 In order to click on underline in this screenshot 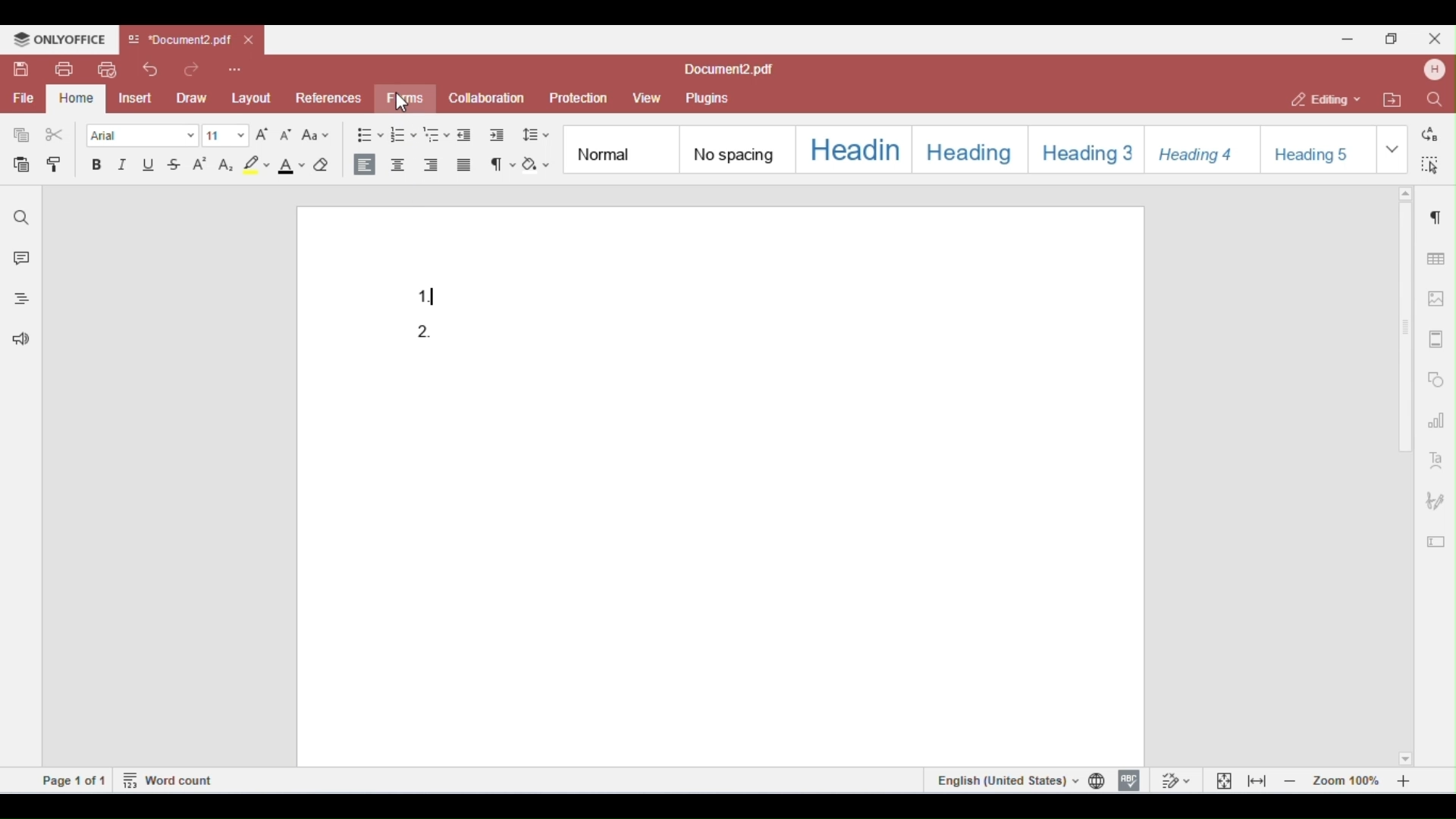, I will do `click(150, 165)`.